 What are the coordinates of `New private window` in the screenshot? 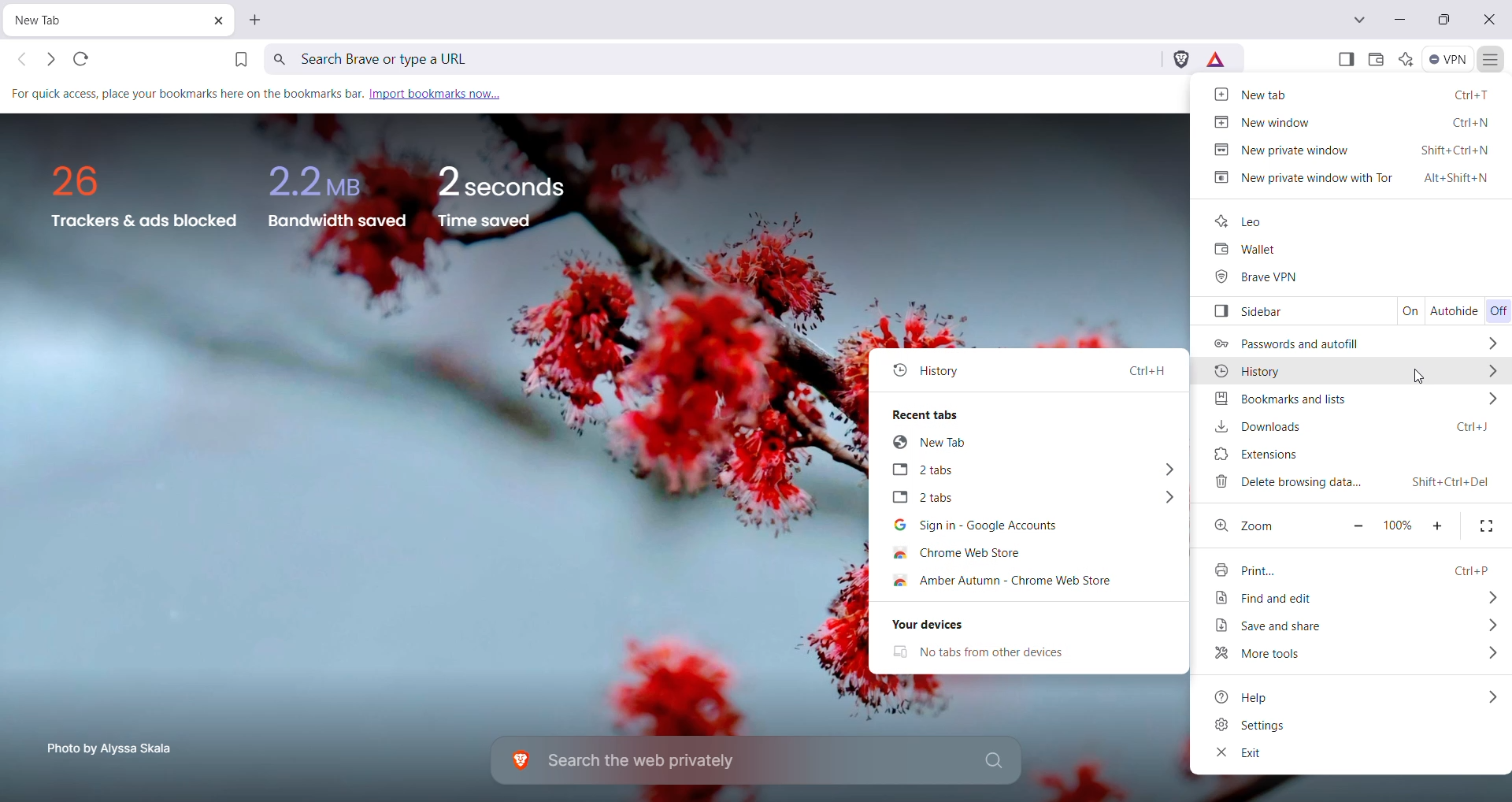 It's located at (1353, 150).